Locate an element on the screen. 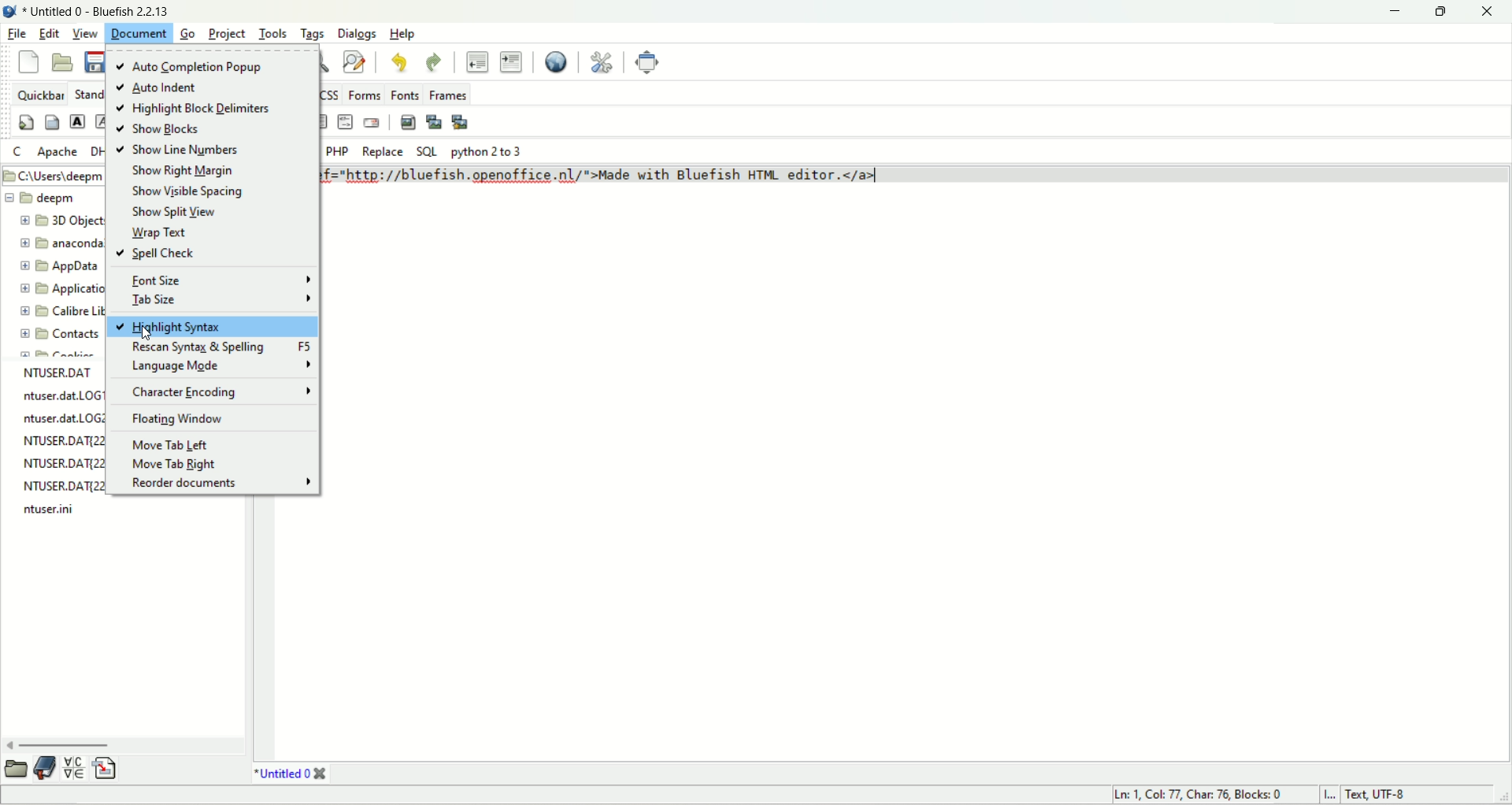  quickbar is located at coordinates (41, 95).